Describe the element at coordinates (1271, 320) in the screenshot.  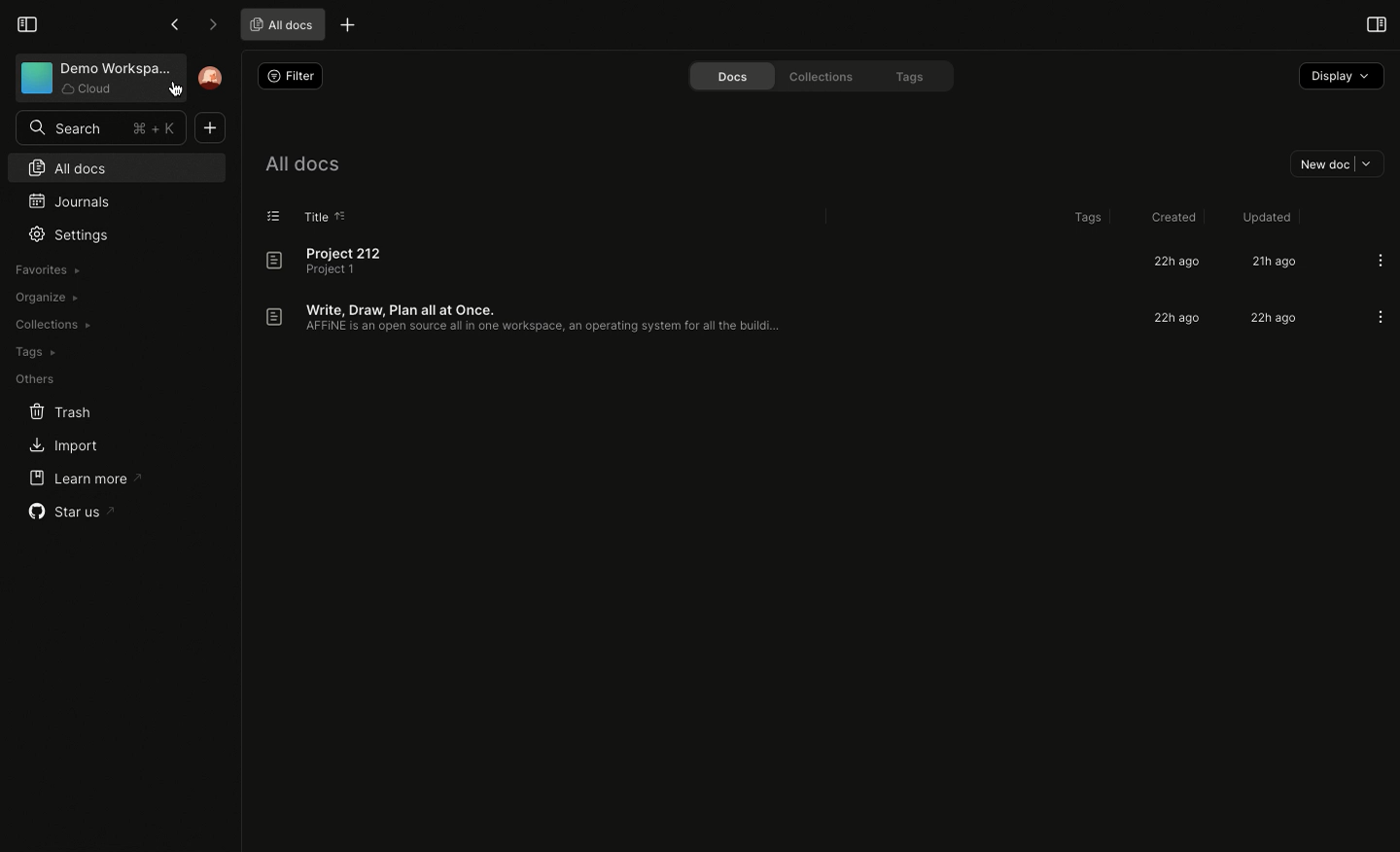
I see `22h ago` at that location.